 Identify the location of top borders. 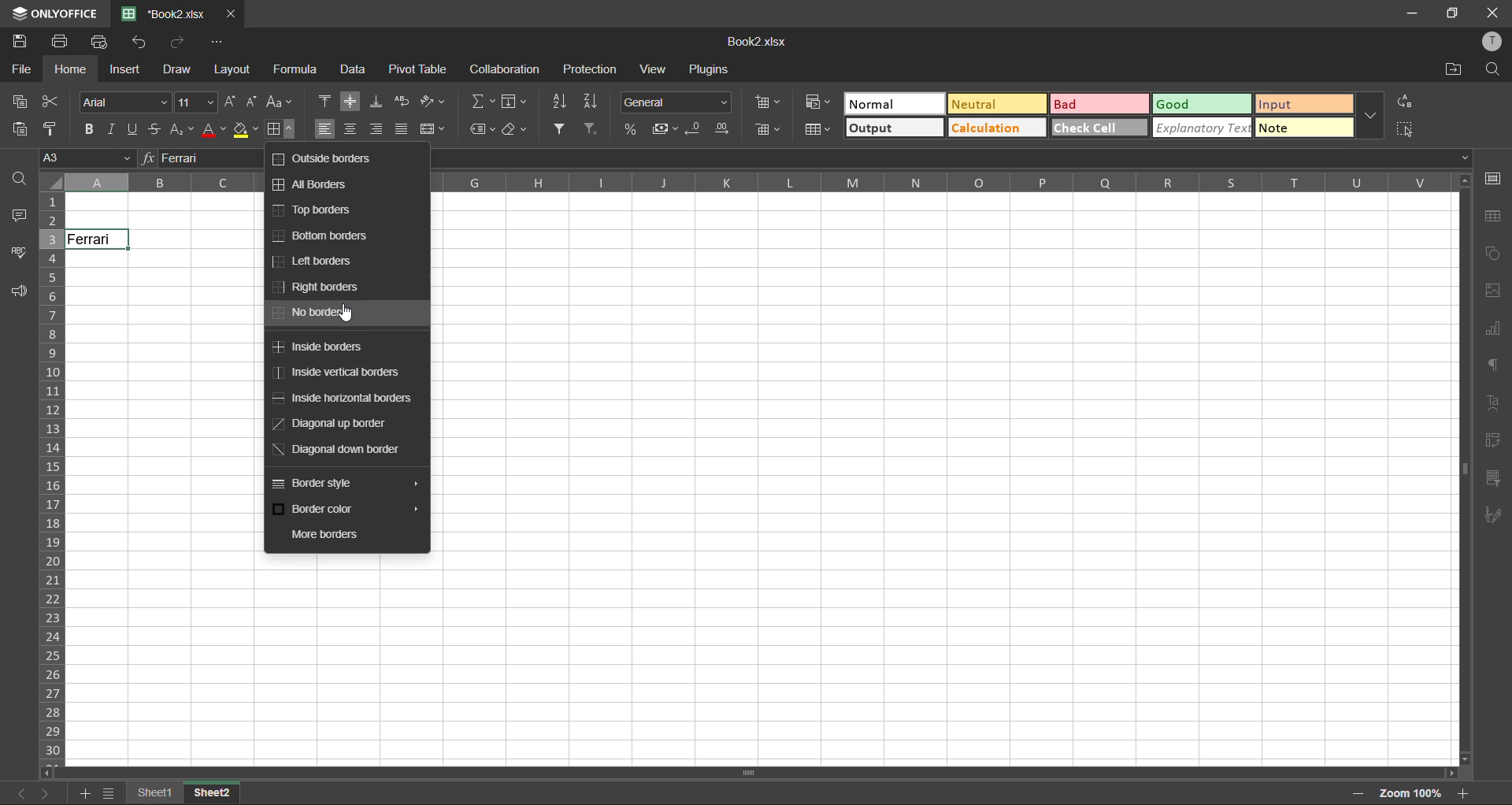
(314, 212).